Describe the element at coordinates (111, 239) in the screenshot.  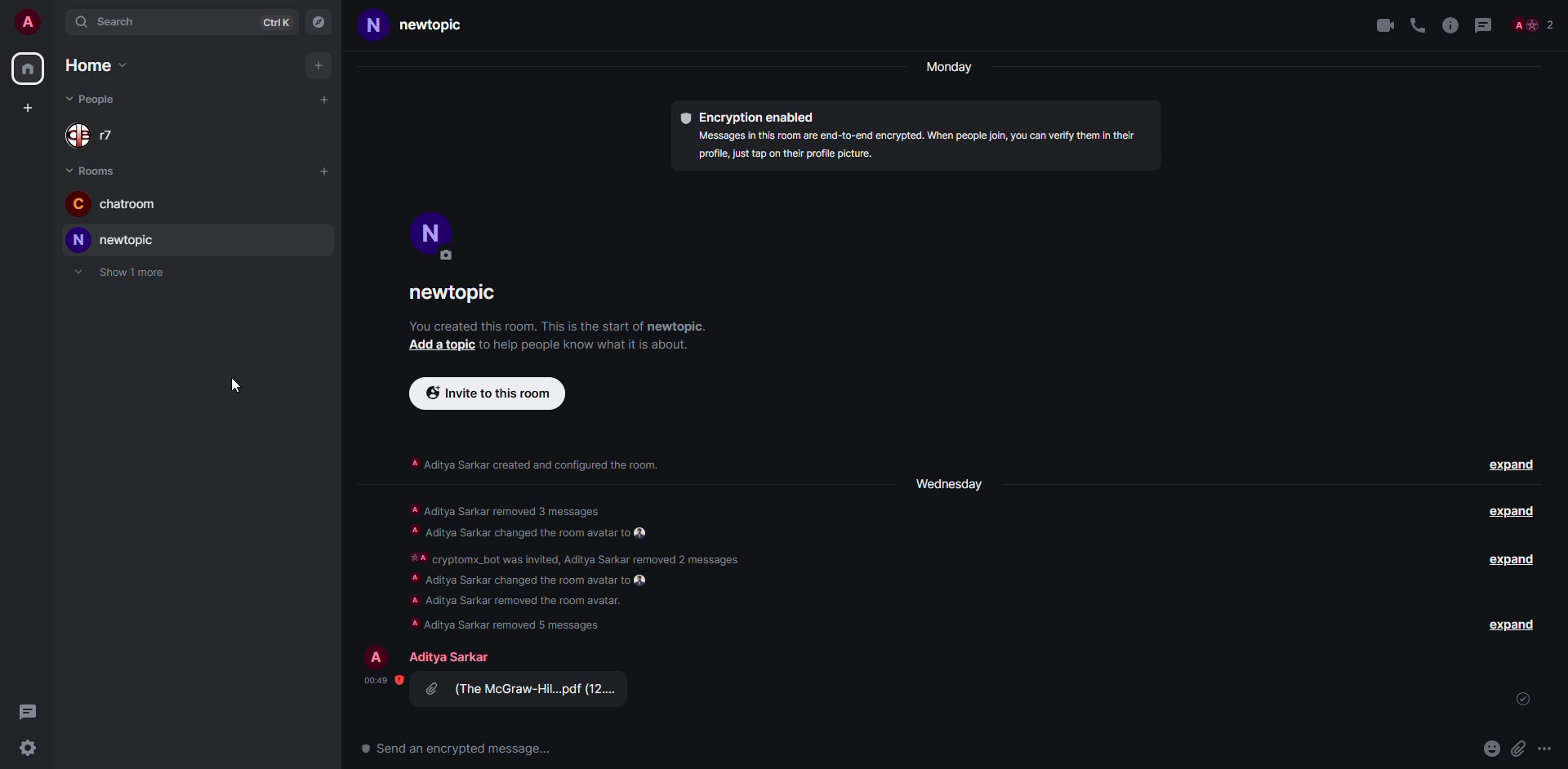
I see `new topic` at that location.